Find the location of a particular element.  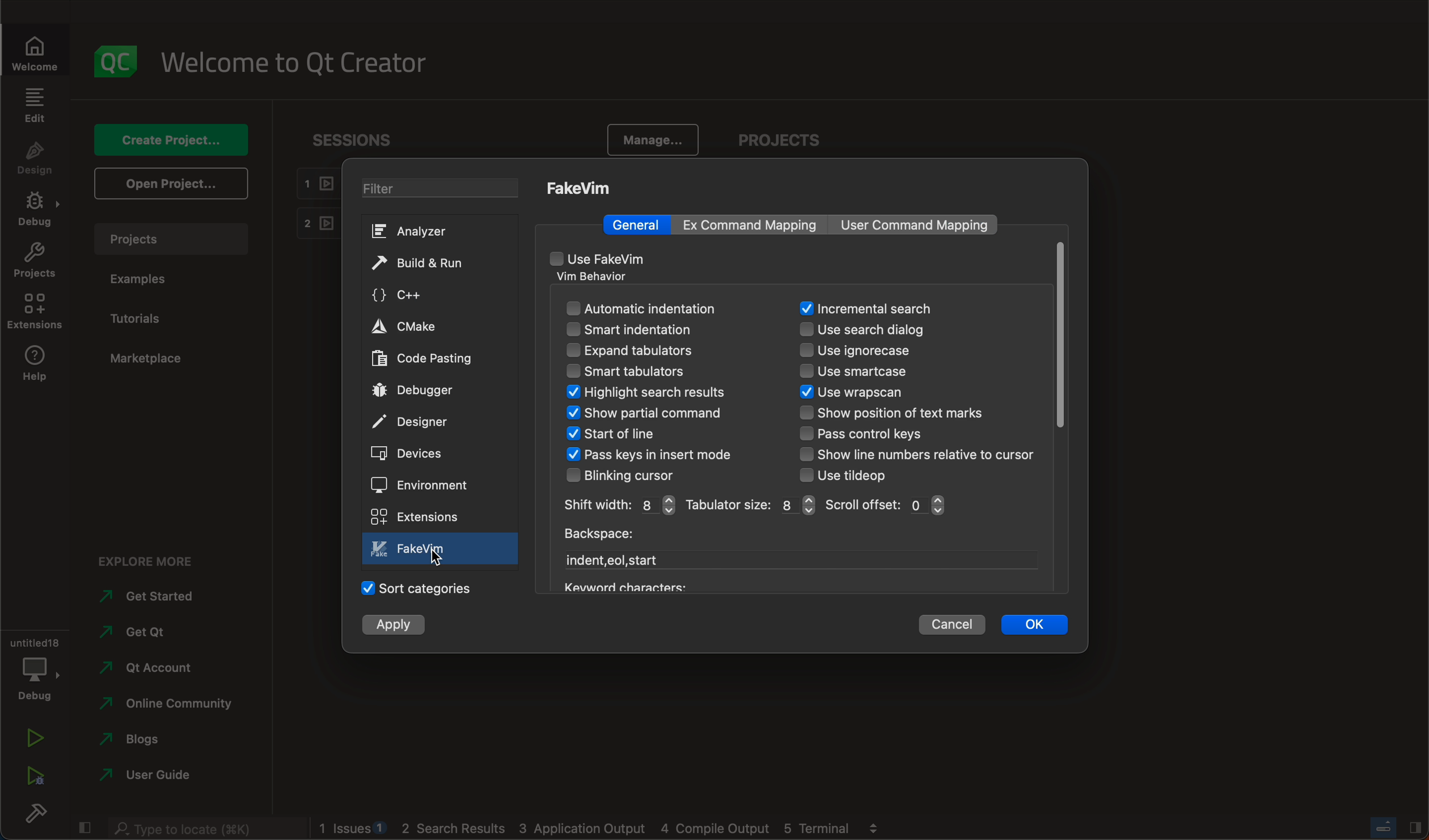

marketplace is located at coordinates (150, 358).